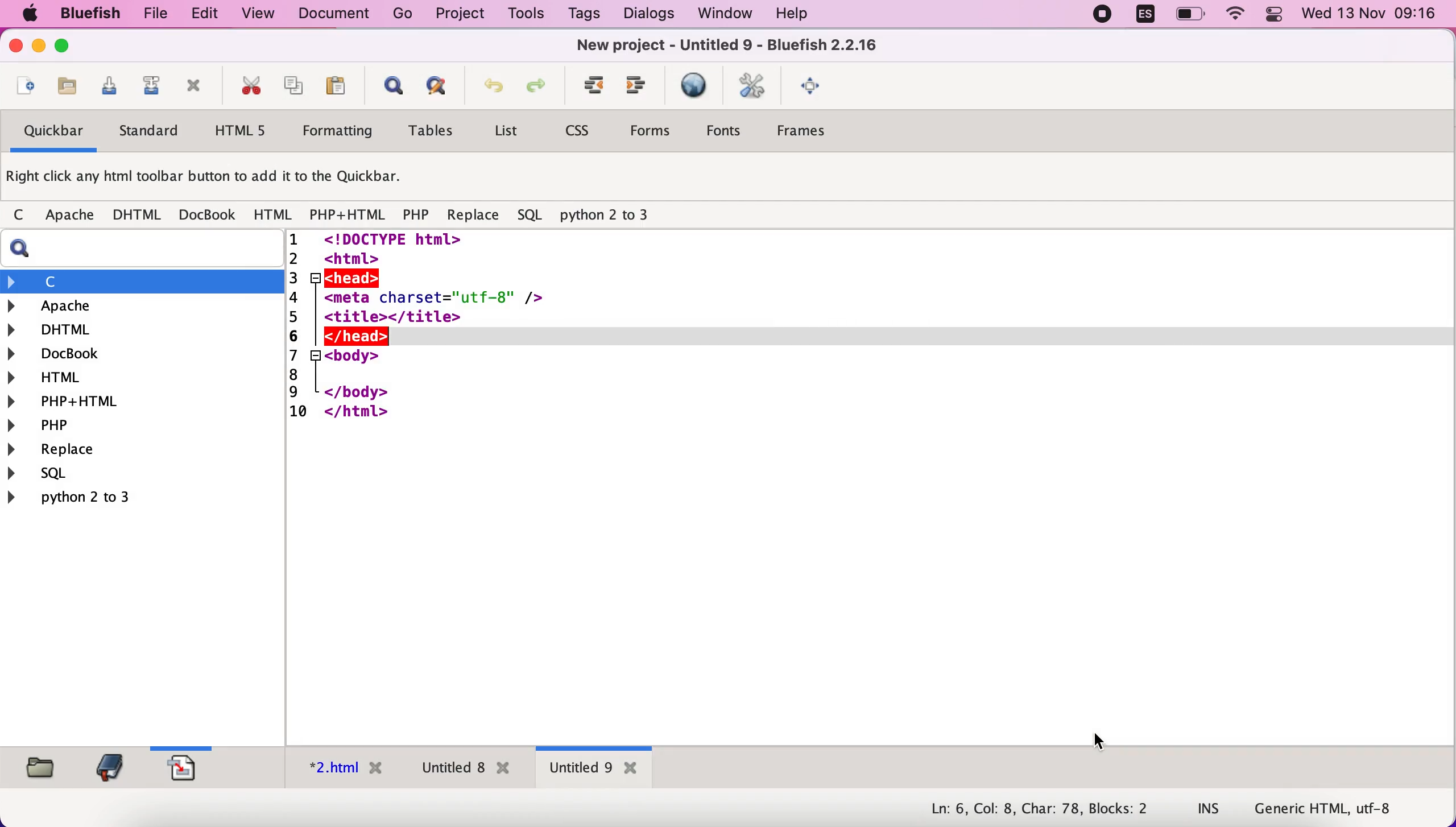 This screenshot has width=1456, height=827. Describe the element at coordinates (471, 216) in the screenshot. I see `replace` at that location.